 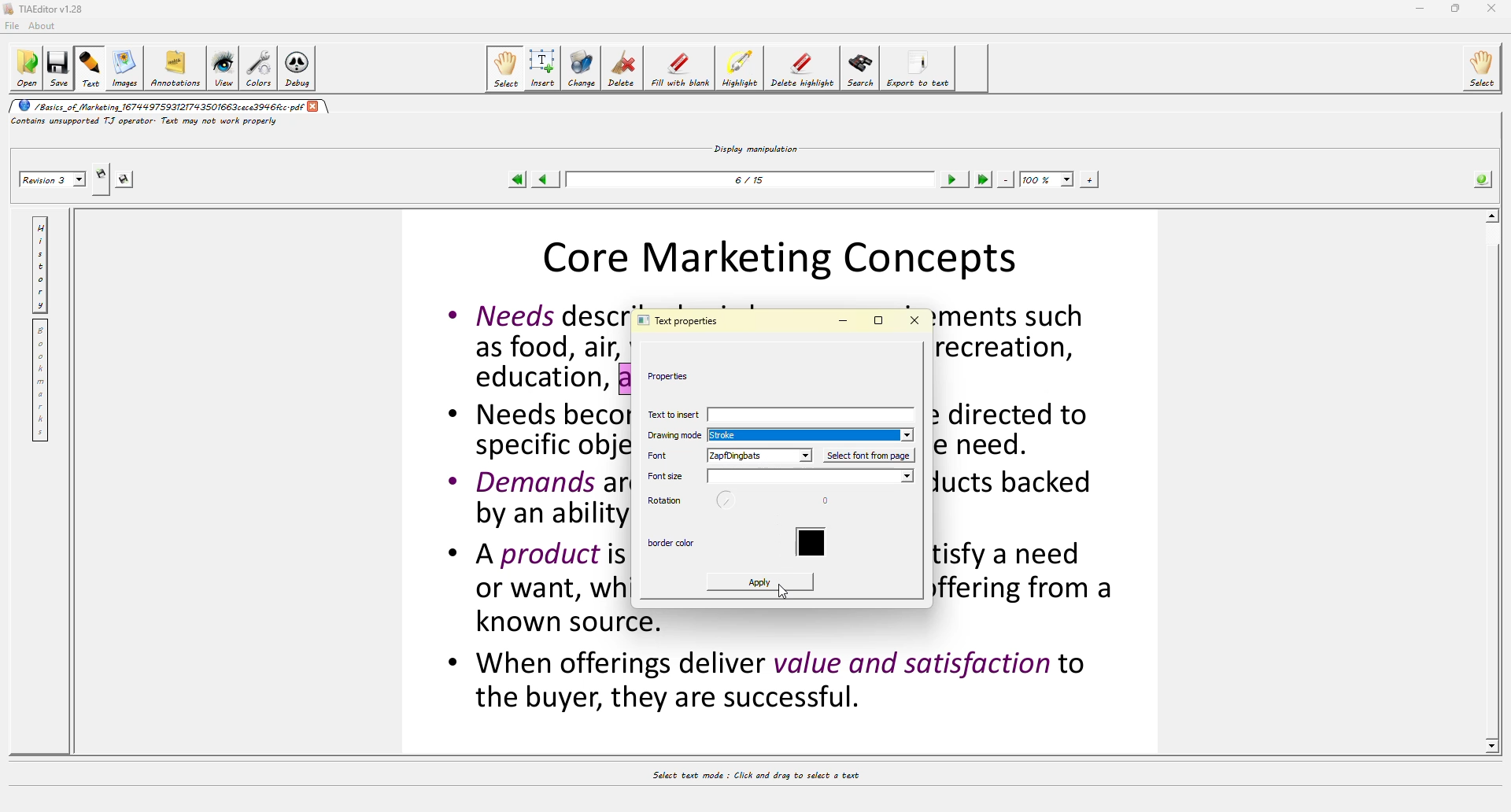 I want to click on border color, so click(x=671, y=542).